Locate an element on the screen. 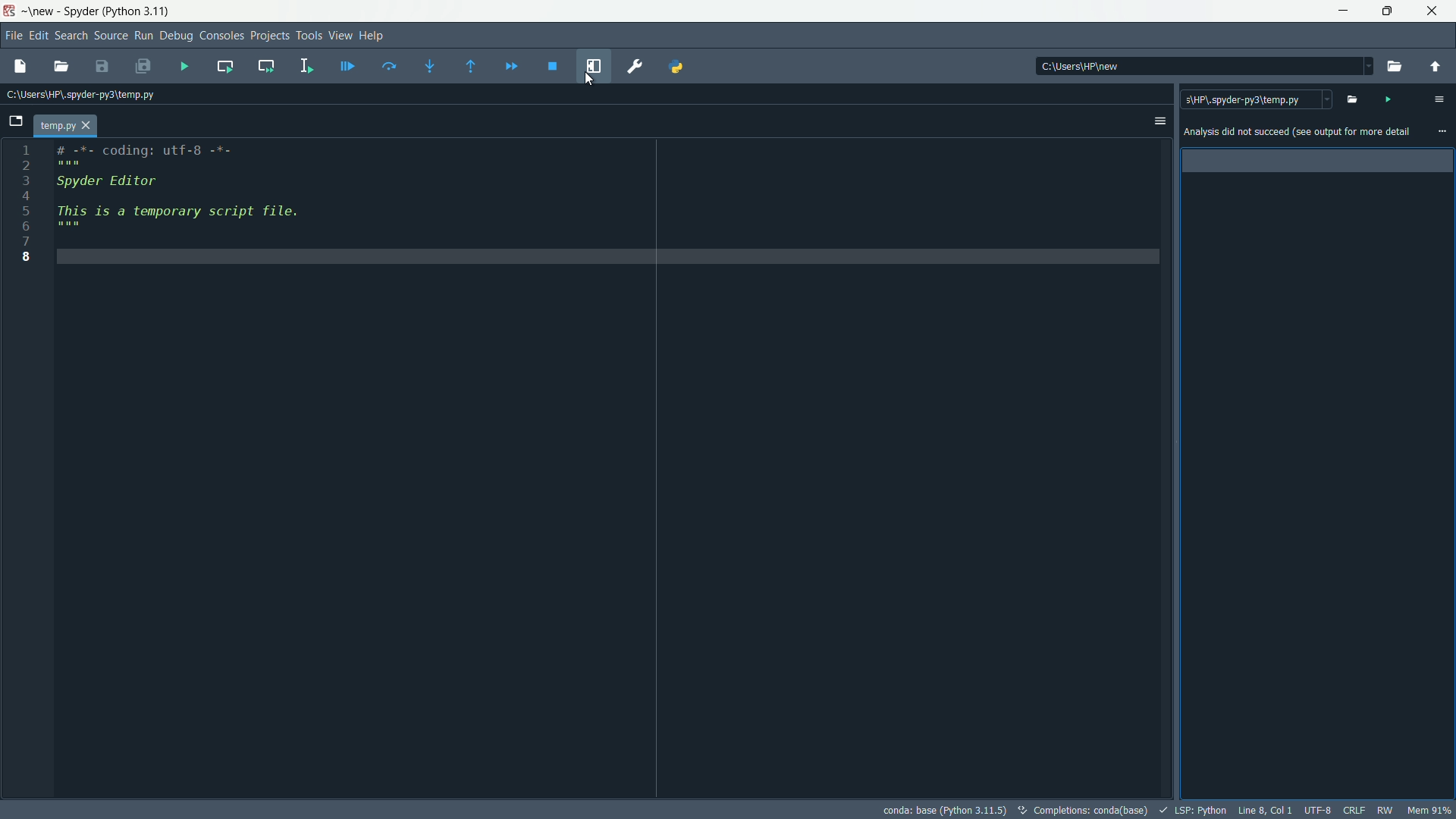 The image size is (1456, 819). run selection is located at coordinates (306, 65).